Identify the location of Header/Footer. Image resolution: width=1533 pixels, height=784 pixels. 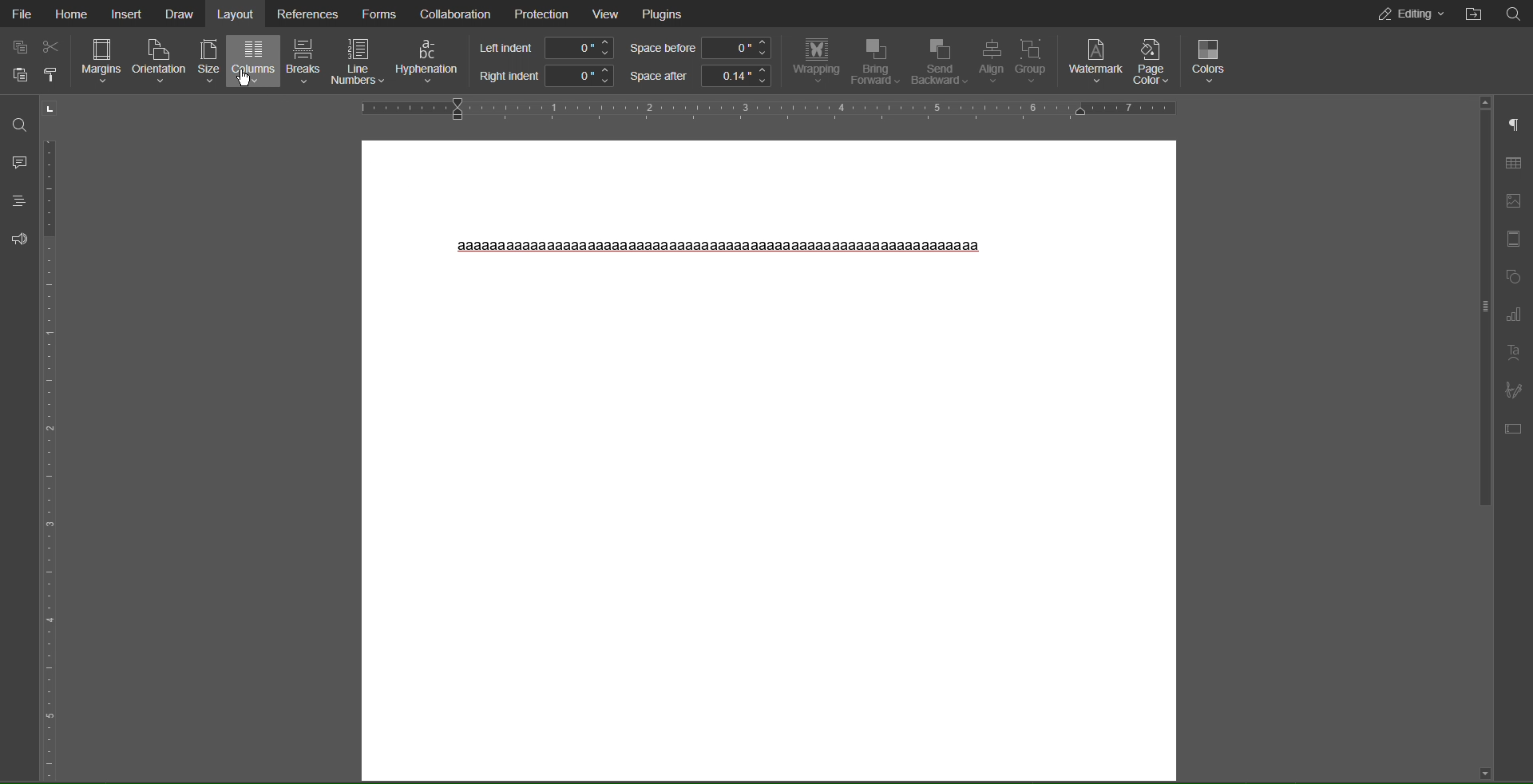
(1515, 239).